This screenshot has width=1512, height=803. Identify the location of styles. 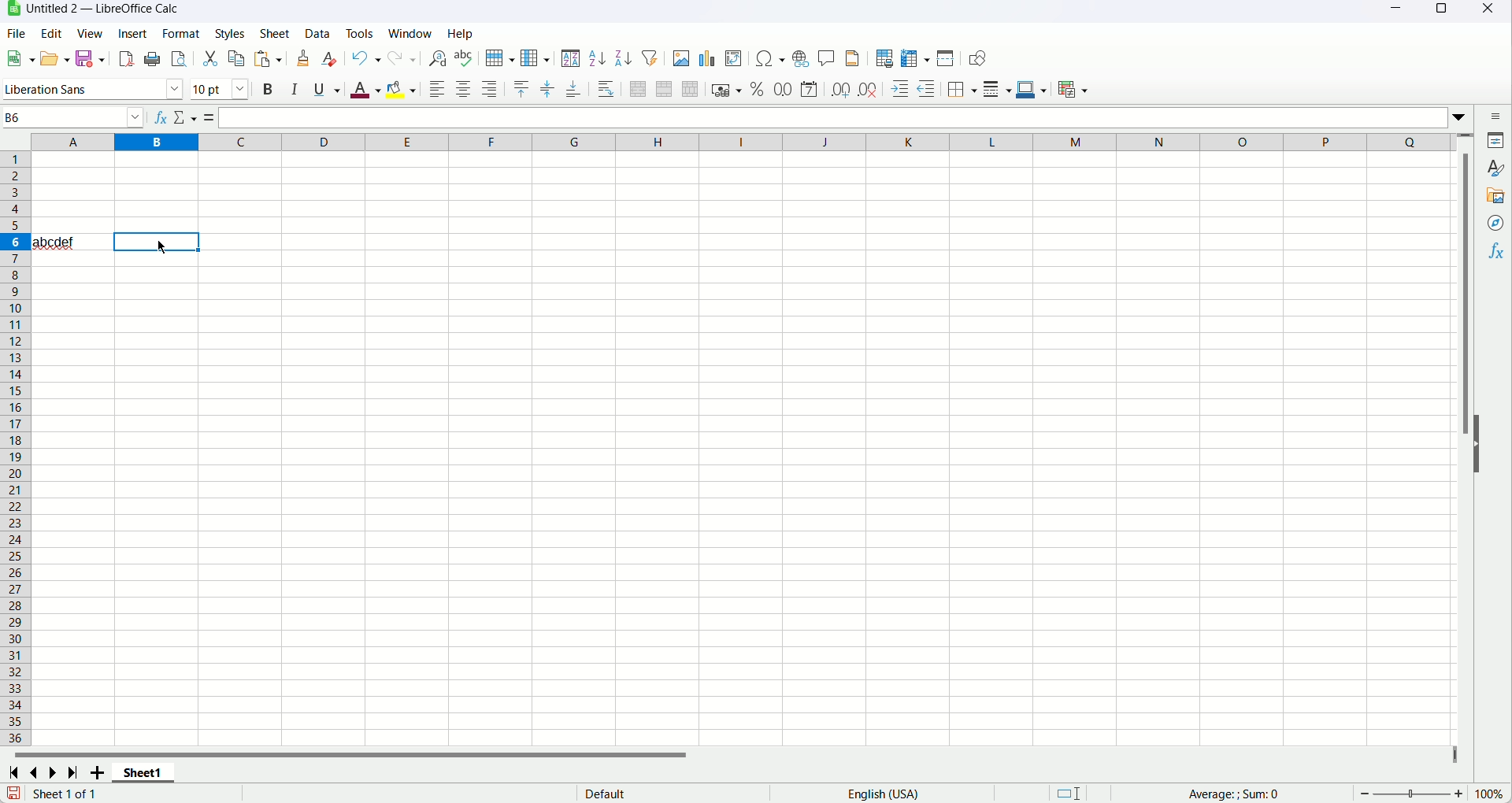
(1497, 170).